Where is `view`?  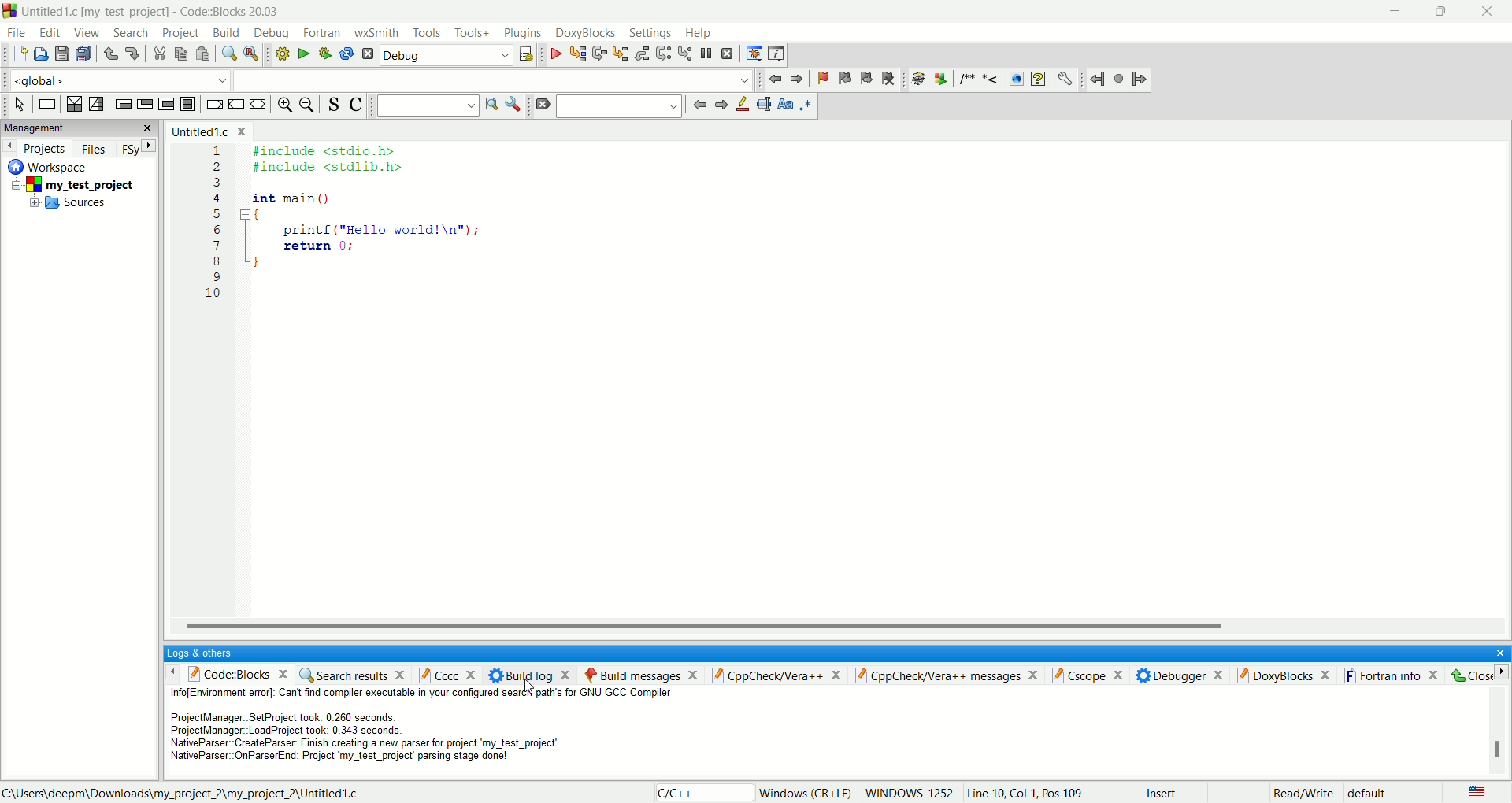
view is located at coordinates (85, 32).